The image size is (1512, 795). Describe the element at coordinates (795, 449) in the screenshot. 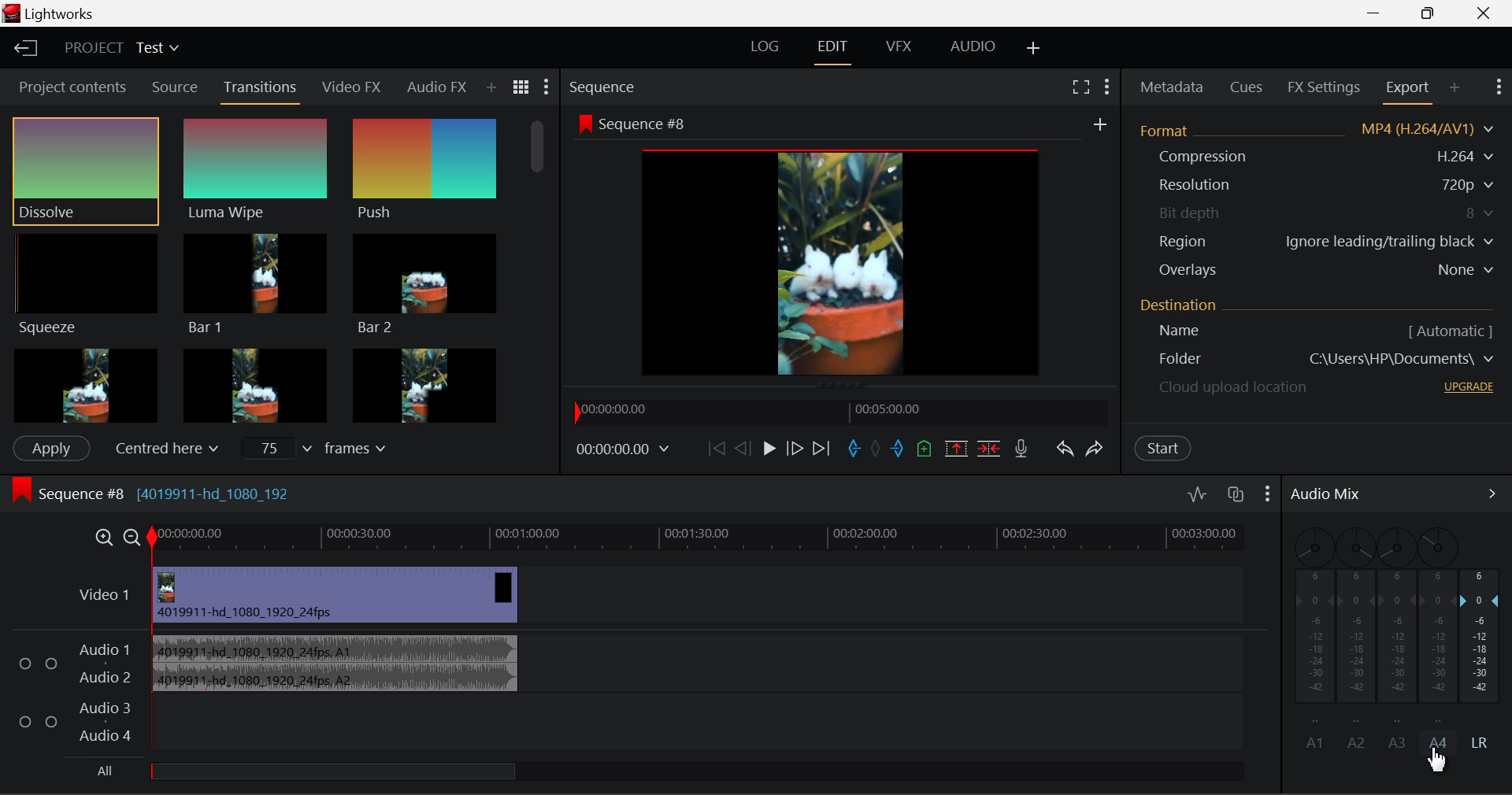

I see `Go Forward` at that location.